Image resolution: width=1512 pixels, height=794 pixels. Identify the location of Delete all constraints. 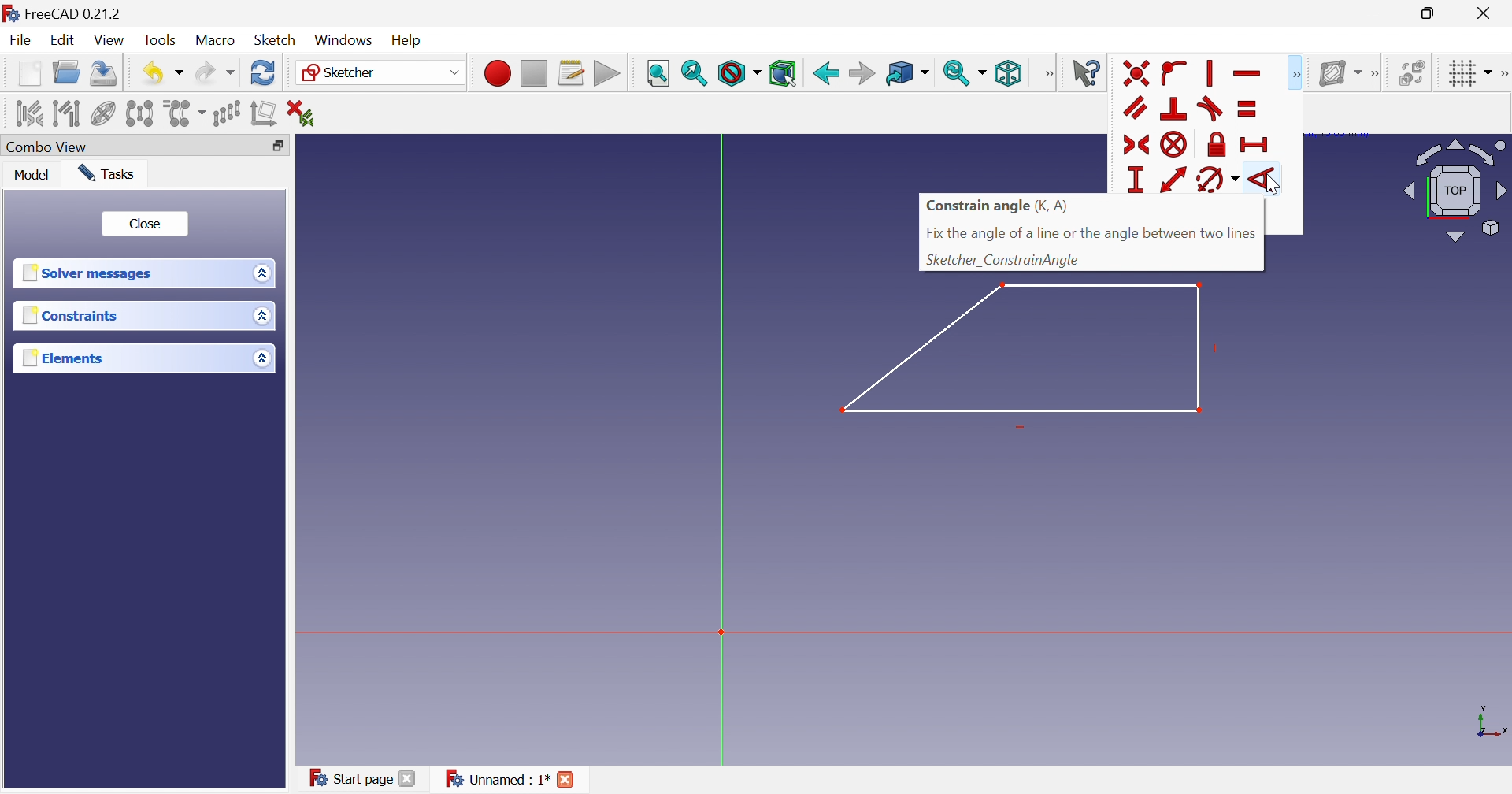
(300, 112).